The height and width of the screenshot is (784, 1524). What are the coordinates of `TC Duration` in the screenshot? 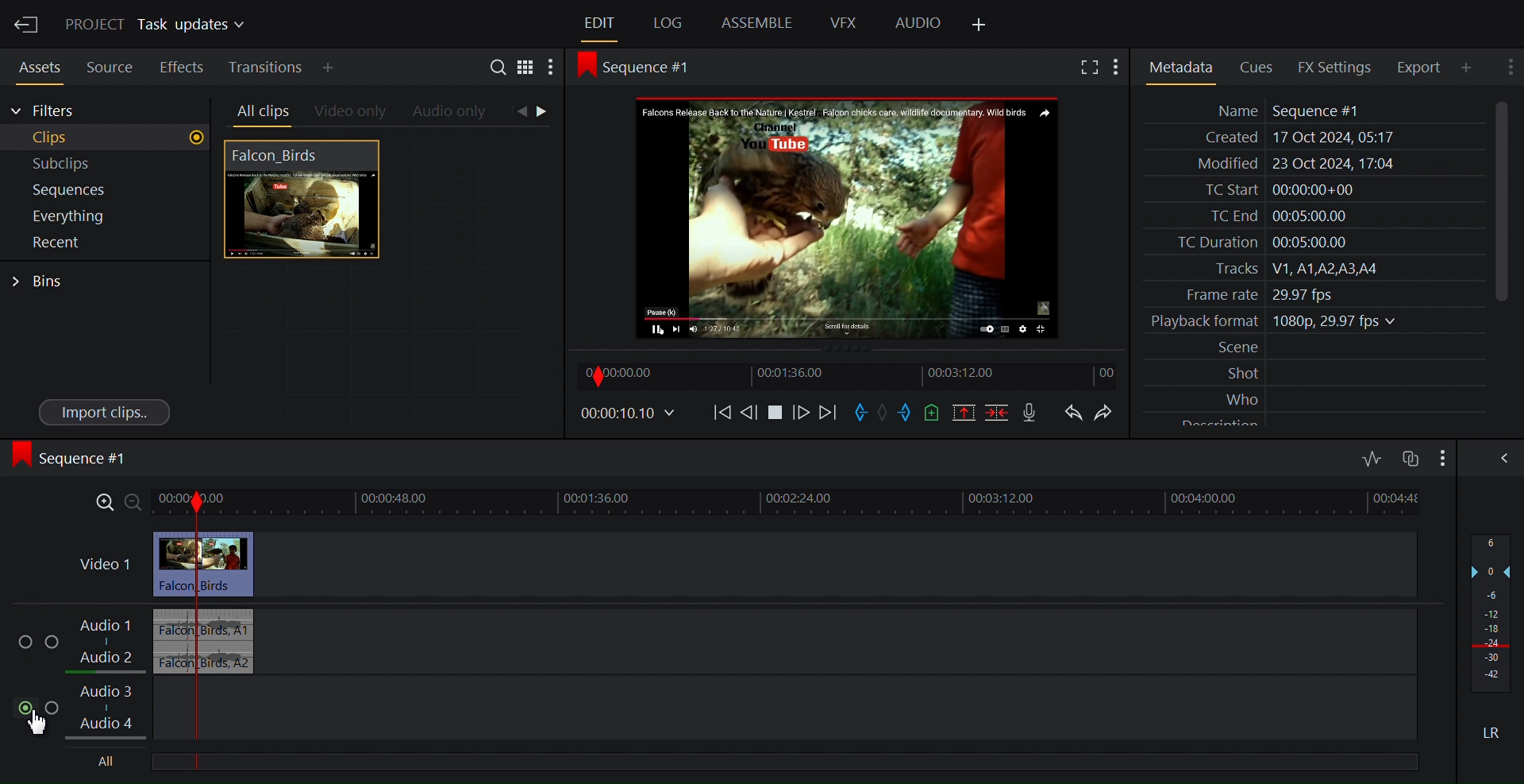 It's located at (1312, 243).